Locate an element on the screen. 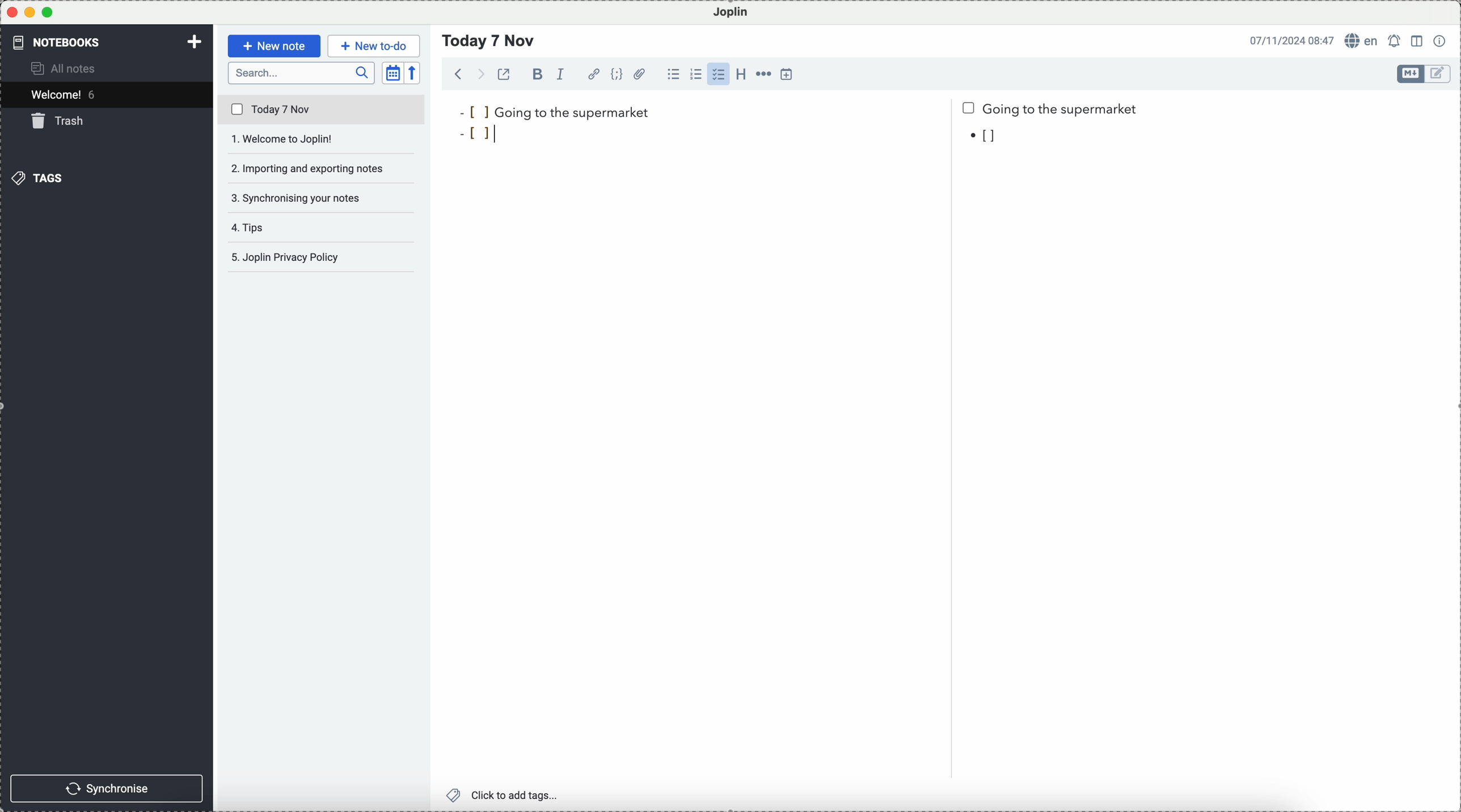 The width and height of the screenshot is (1461, 812). bold is located at coordinates (535, 74).